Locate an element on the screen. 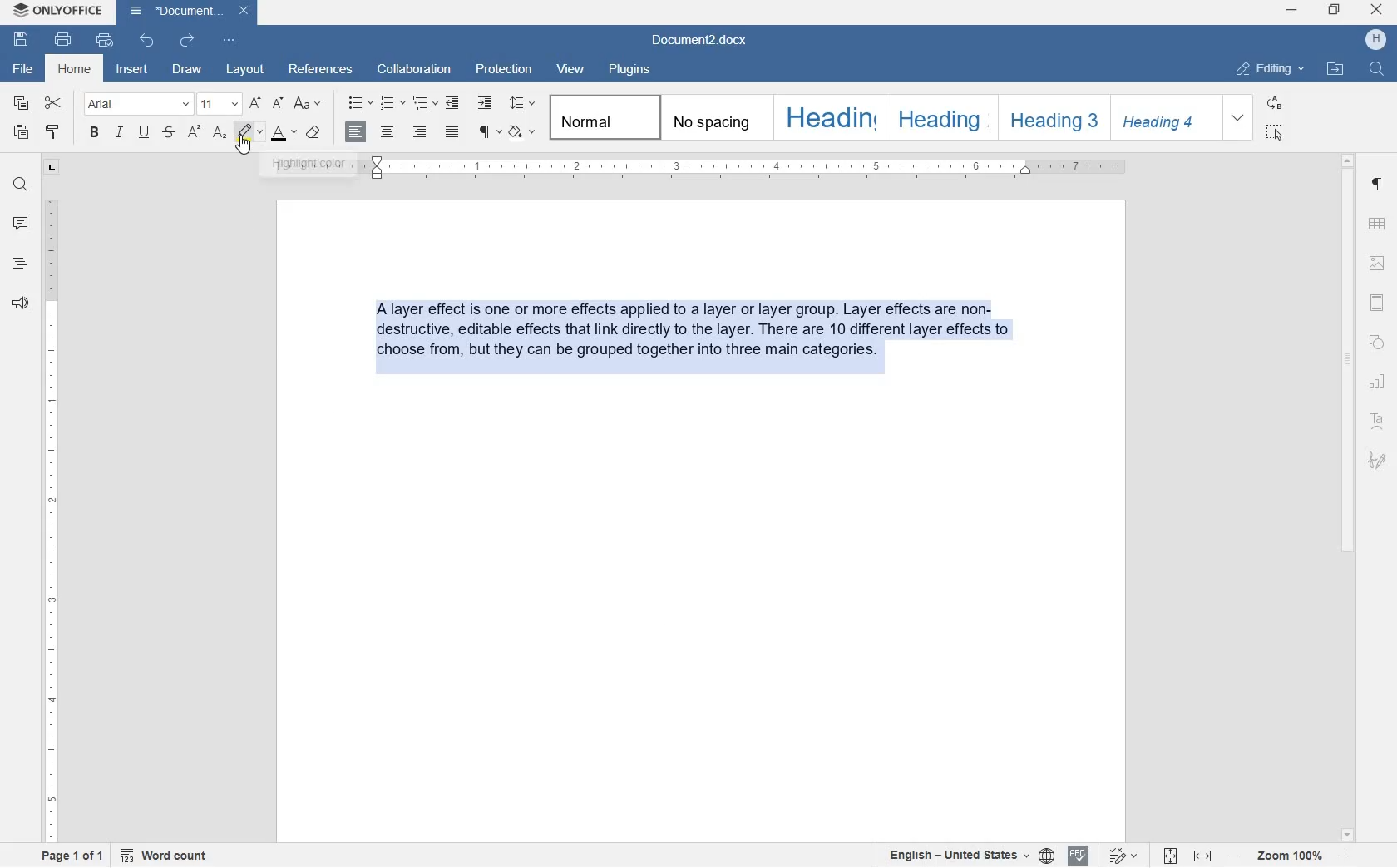  NORMAL is located at coordinates (601, 117).